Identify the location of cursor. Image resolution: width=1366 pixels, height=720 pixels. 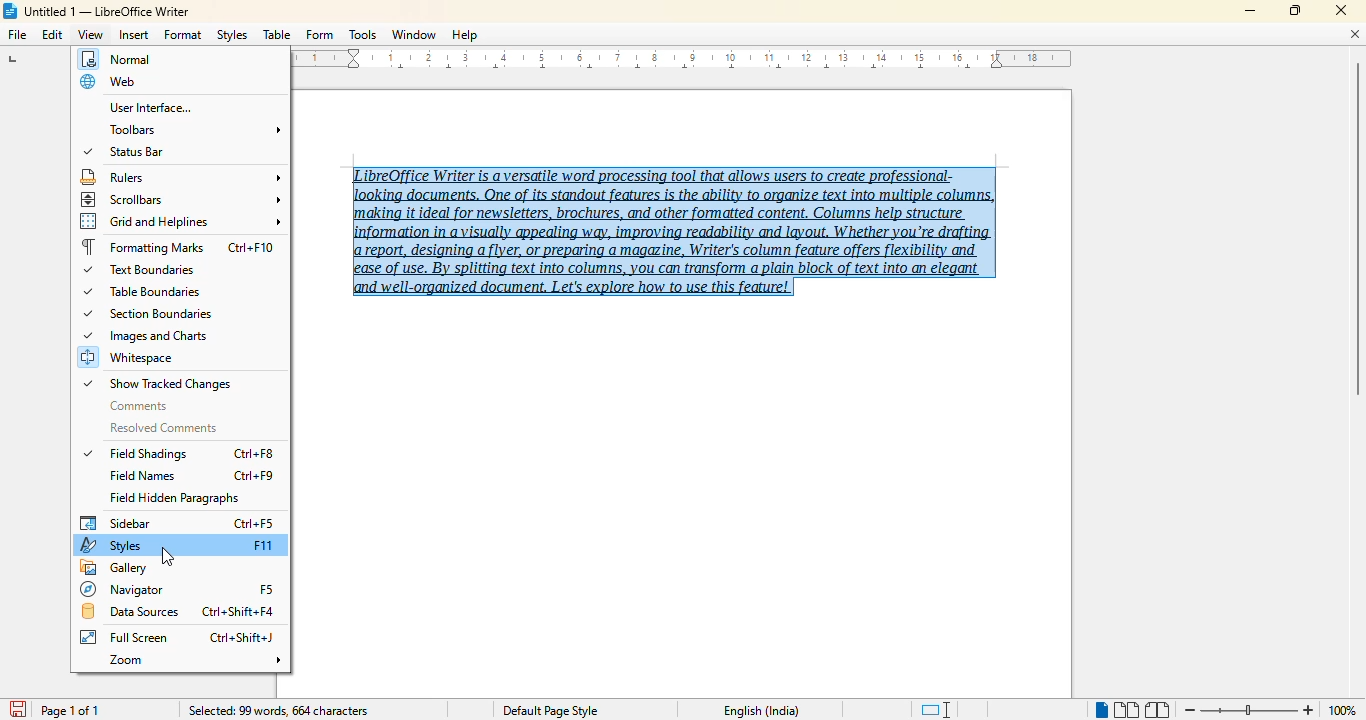
(166, 557).